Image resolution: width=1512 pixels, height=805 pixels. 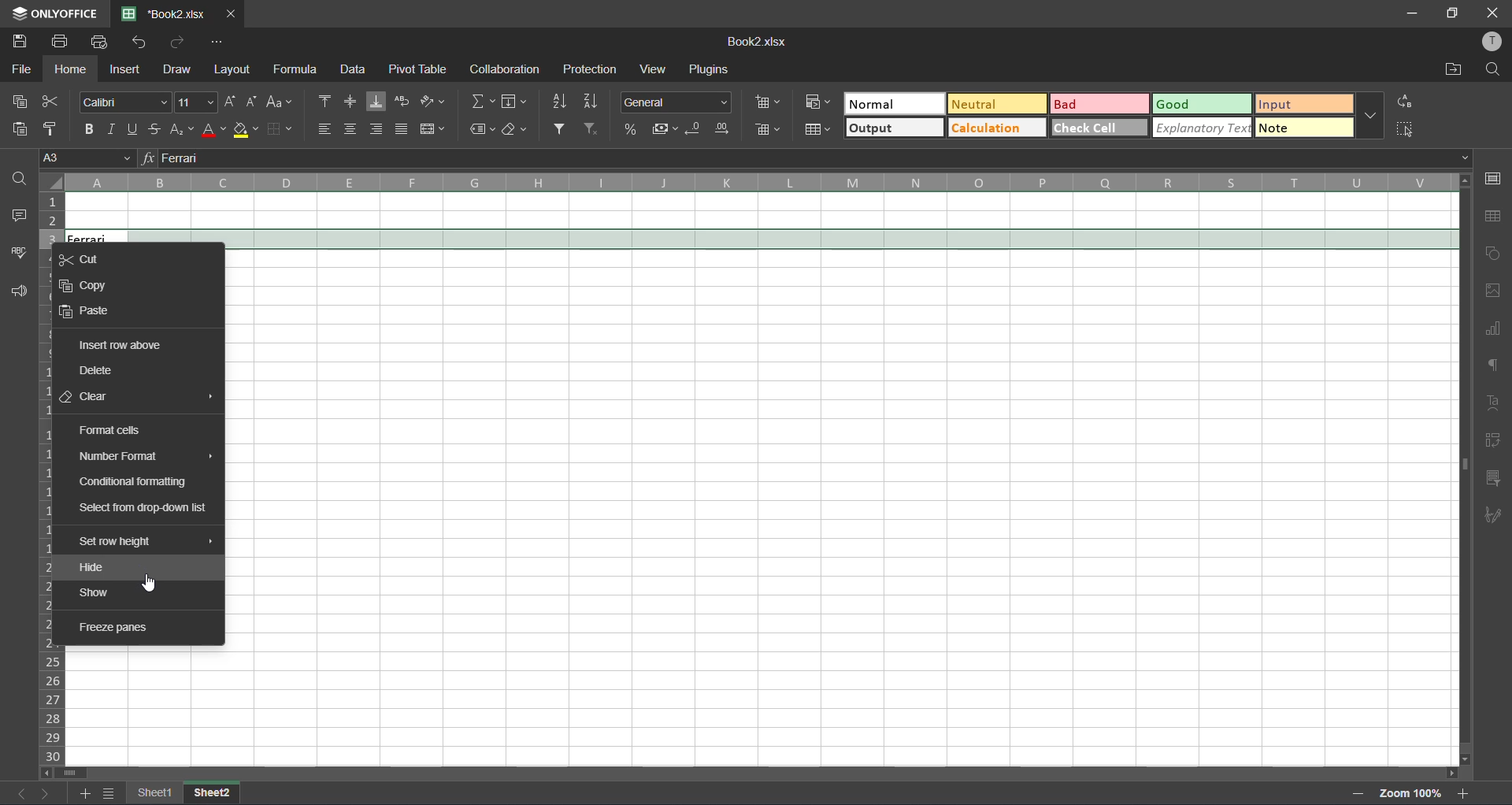 What do you see at coordinates (229, 102) in the screenshot?
I see `increment size` at bounding box center [229, 102].